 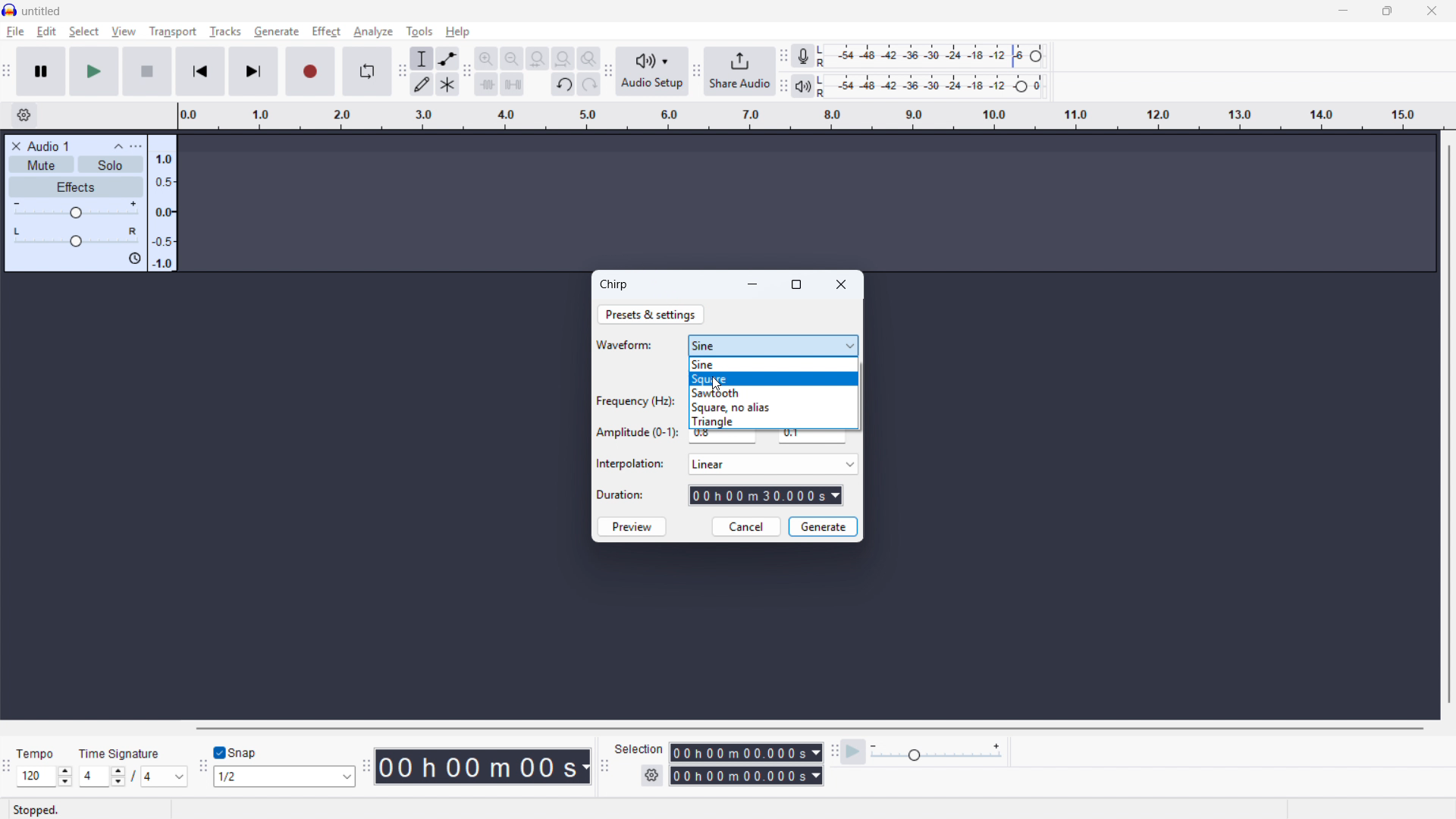 What do you see at coordinates (42, 10) in the screenshot?
I see `untitled` at bounding box center [42, 10].